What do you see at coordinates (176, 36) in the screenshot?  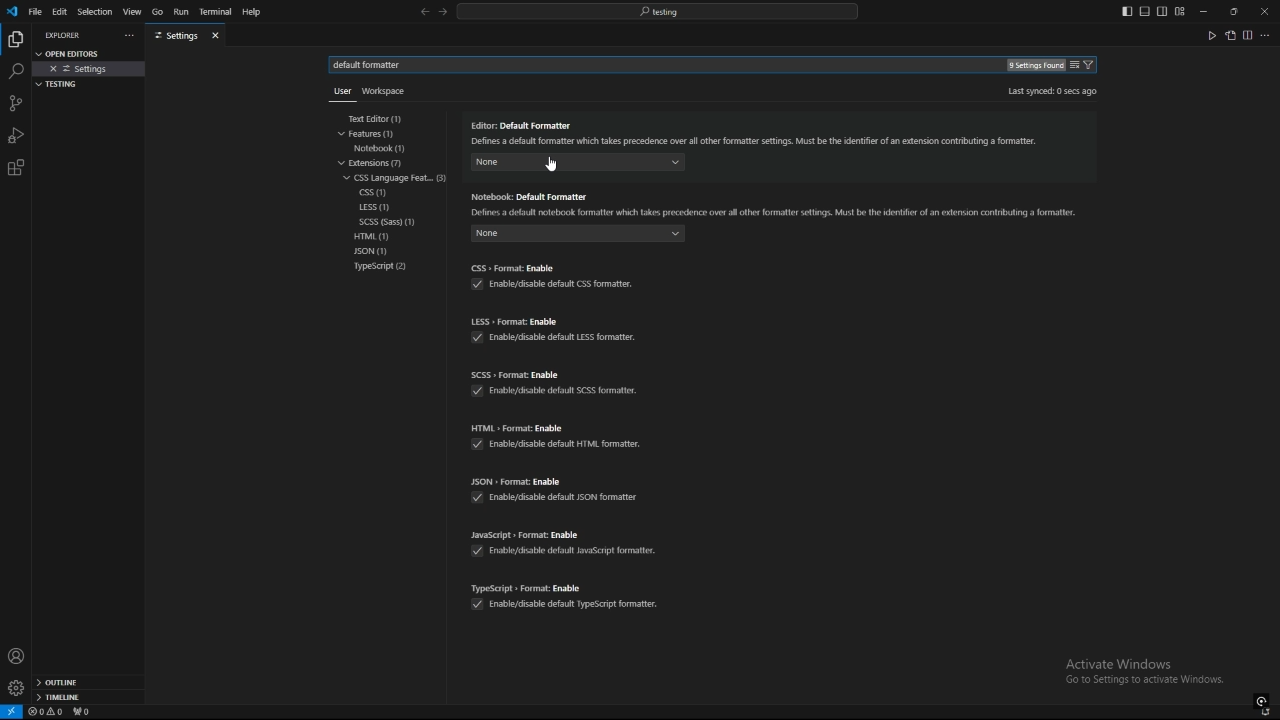 I see `settings` at bounding box center [176, 36].